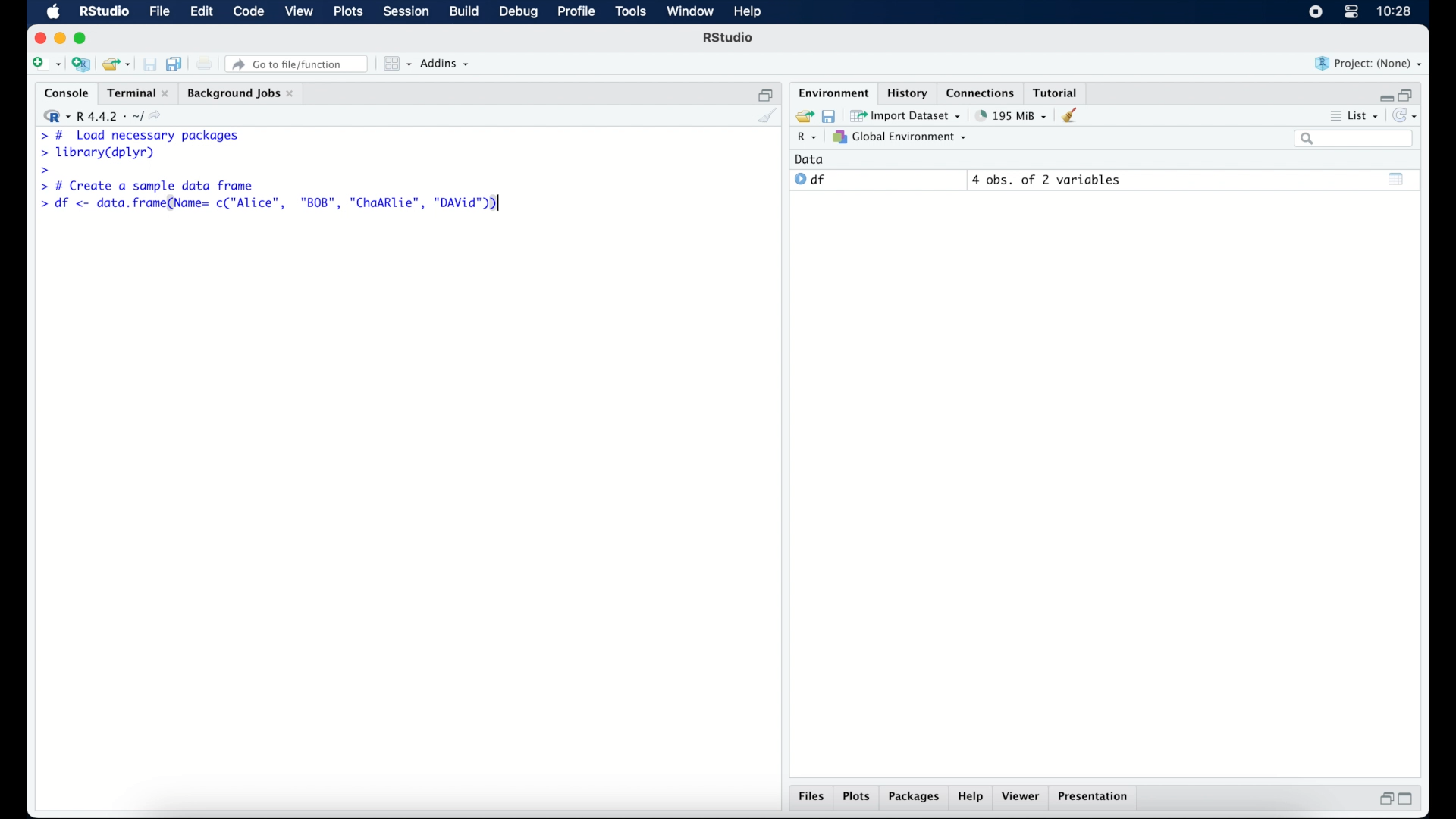  I want to click on load existing project, so click(115, 64).